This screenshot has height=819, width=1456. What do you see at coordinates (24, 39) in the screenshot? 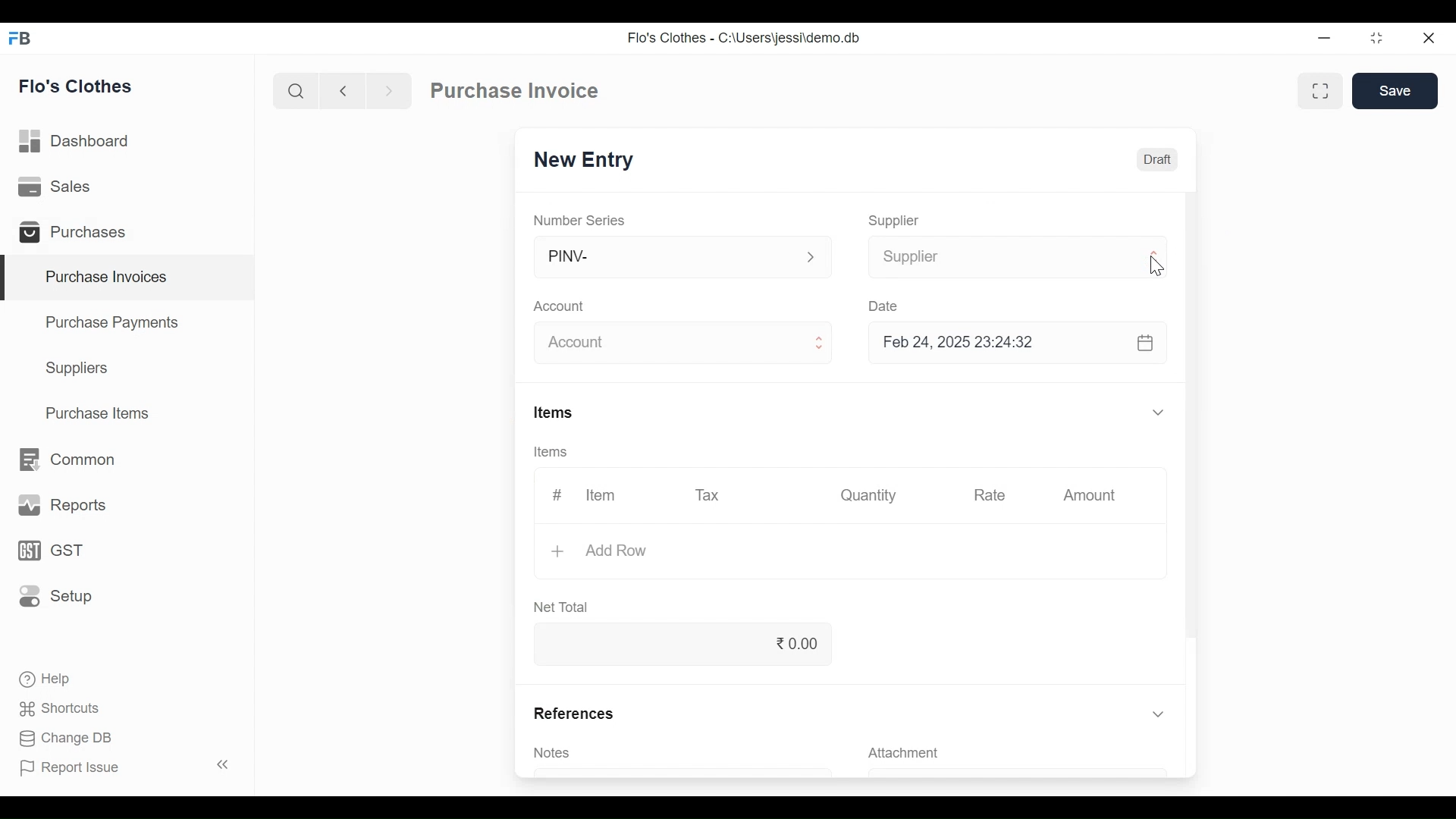
I see `Frappe Desktop icon` at bounding box center [24, 39].